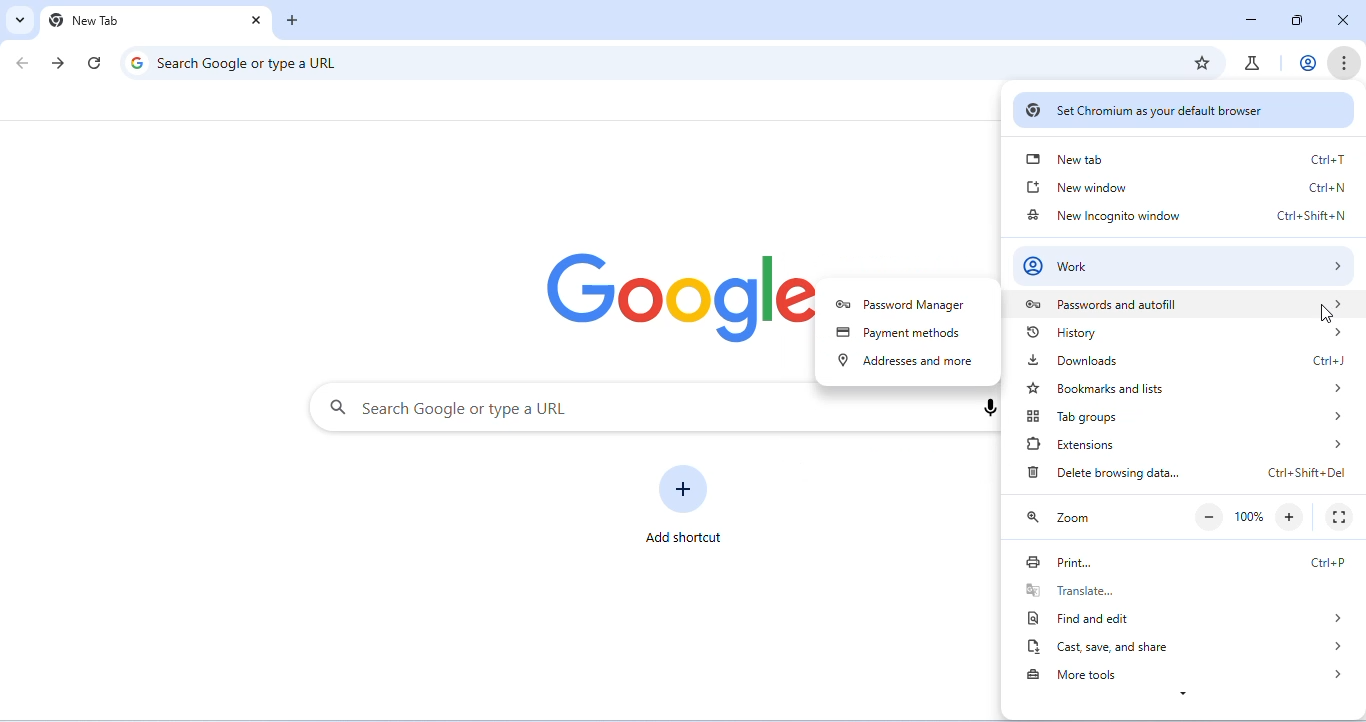 Image resolution: width=1366 pixels, height=722 pixels. What do you see at coordinates (293, 20) in the screenshot?
I see `add new tab` at bounding box center [293, 20].